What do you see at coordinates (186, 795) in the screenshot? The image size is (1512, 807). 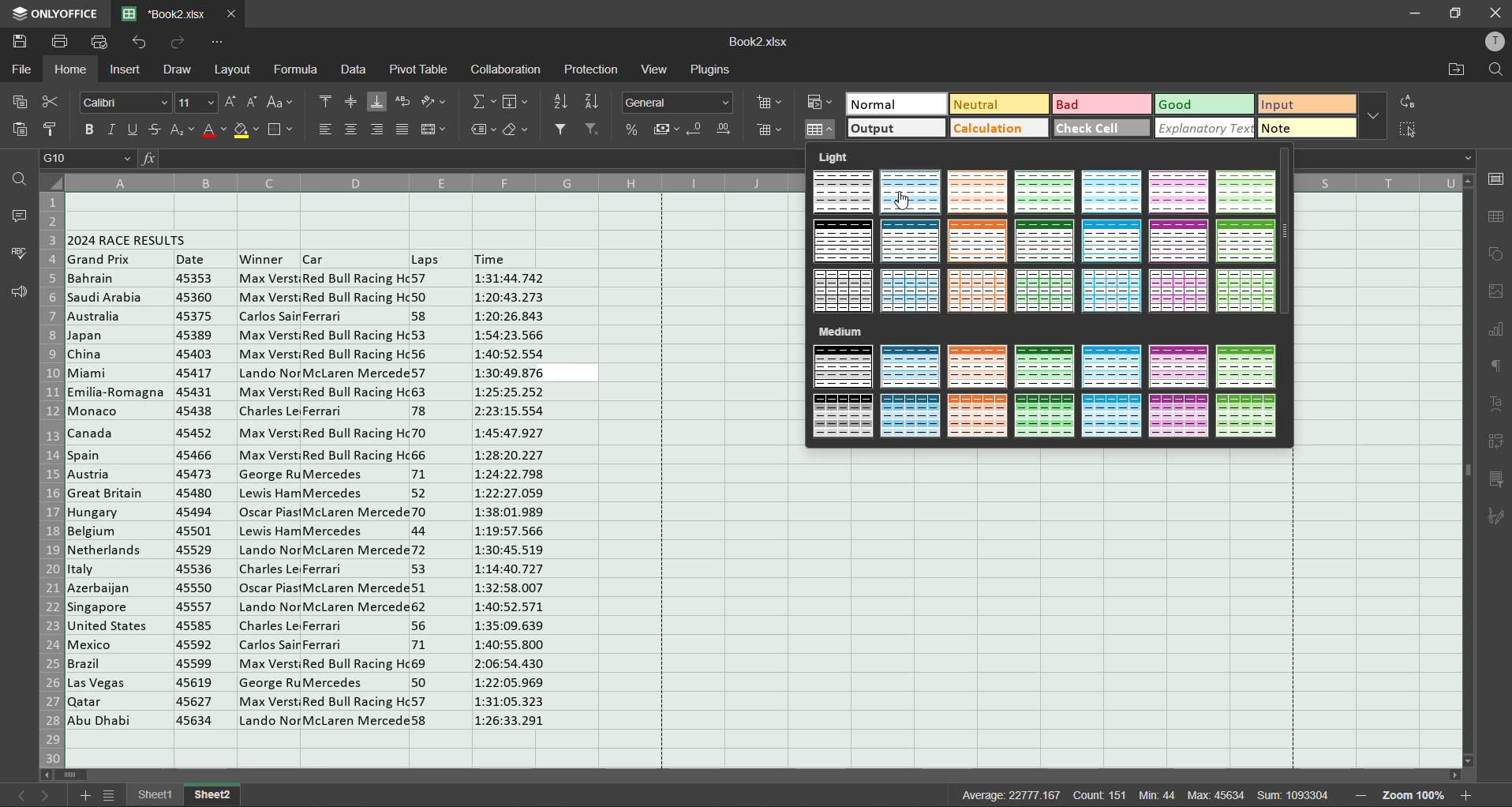 I see `sheet names` at bounding box center [186, 795].